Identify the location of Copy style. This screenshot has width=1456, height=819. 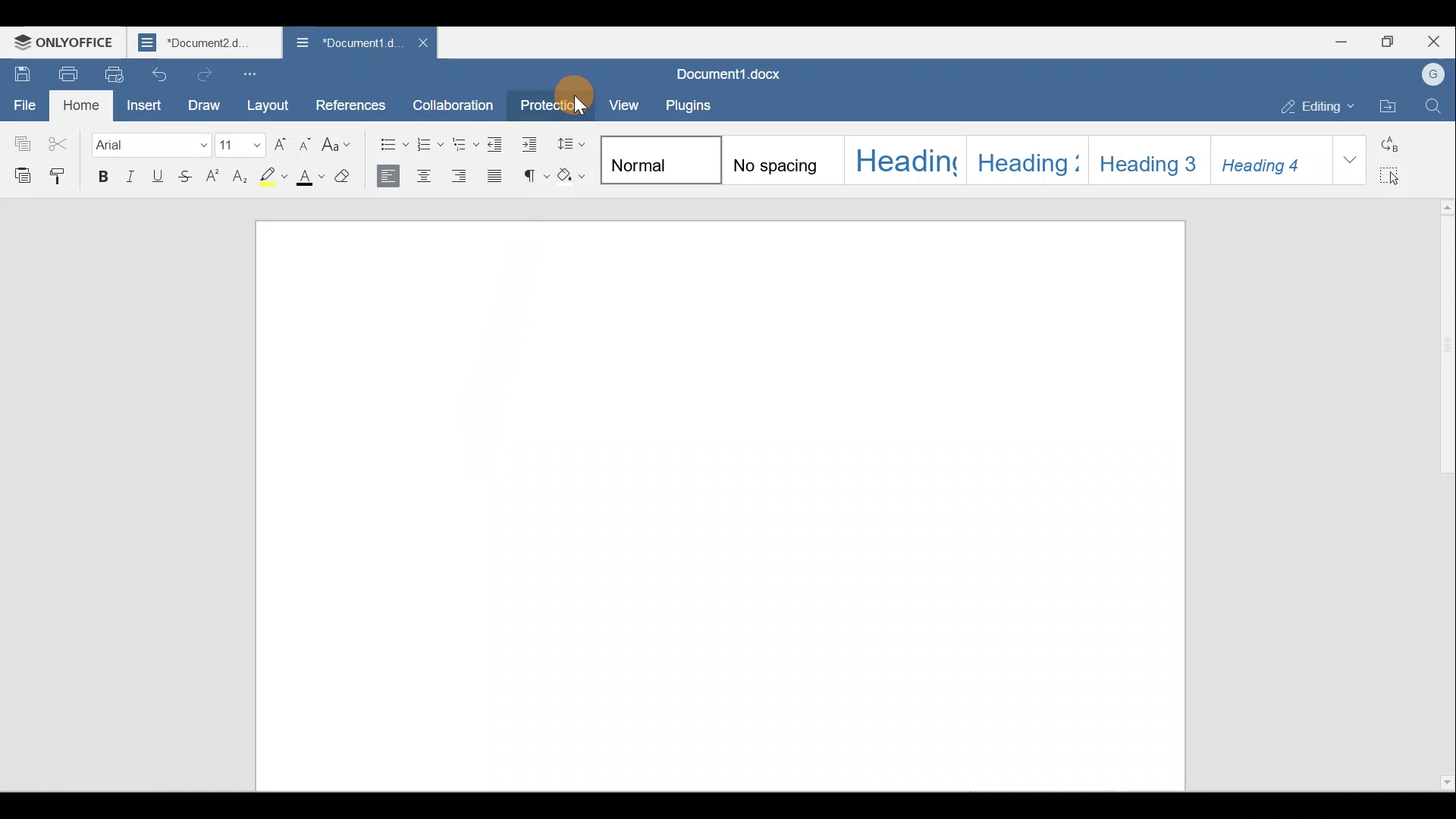
(55, 174).